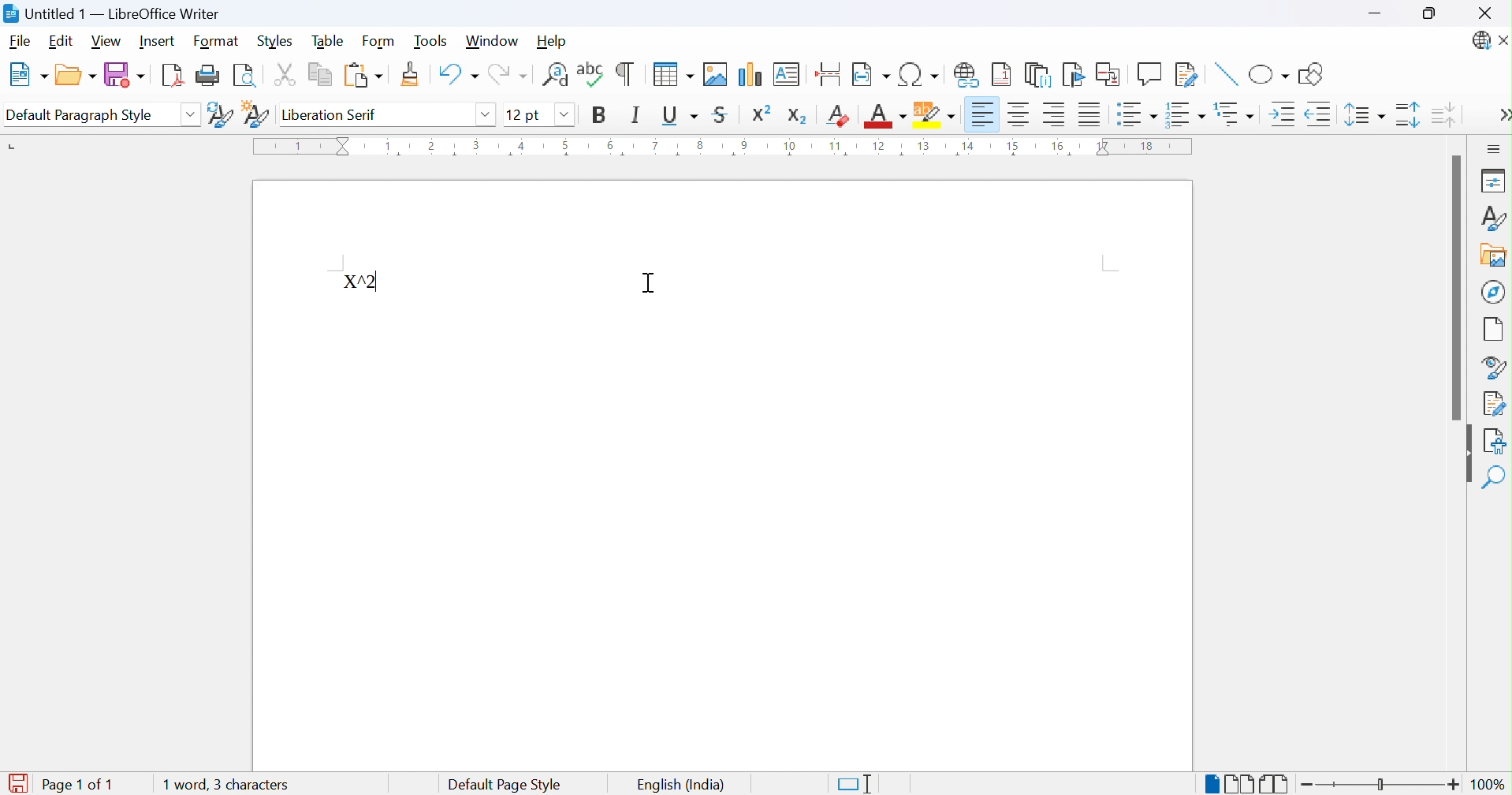  Describe the element at coordinates (412, 73) in the screenshot. I see `Clone formatting` at that location.